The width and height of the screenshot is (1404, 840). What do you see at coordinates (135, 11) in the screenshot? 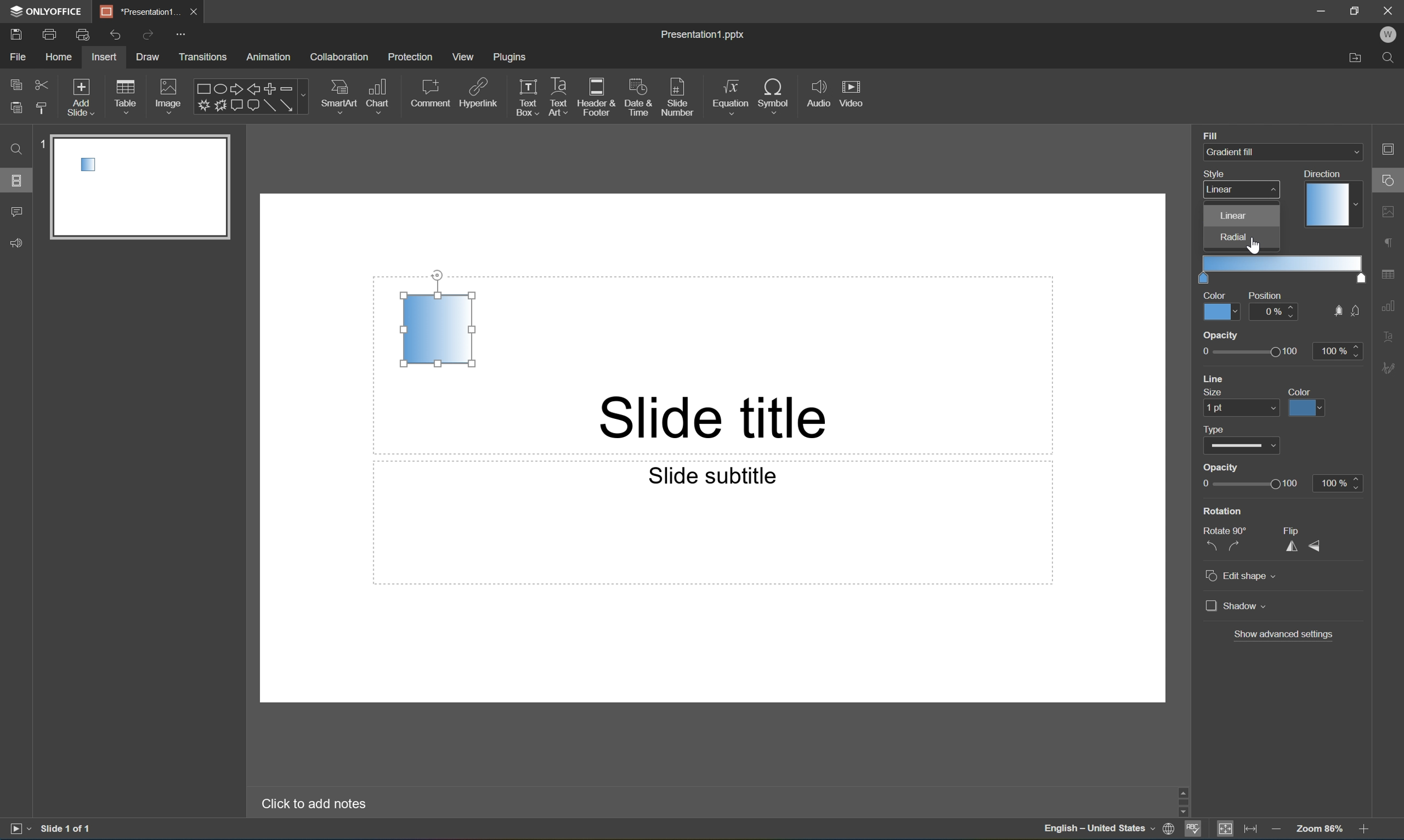
I see `Presentation1...` at bounding box center [135, 11].